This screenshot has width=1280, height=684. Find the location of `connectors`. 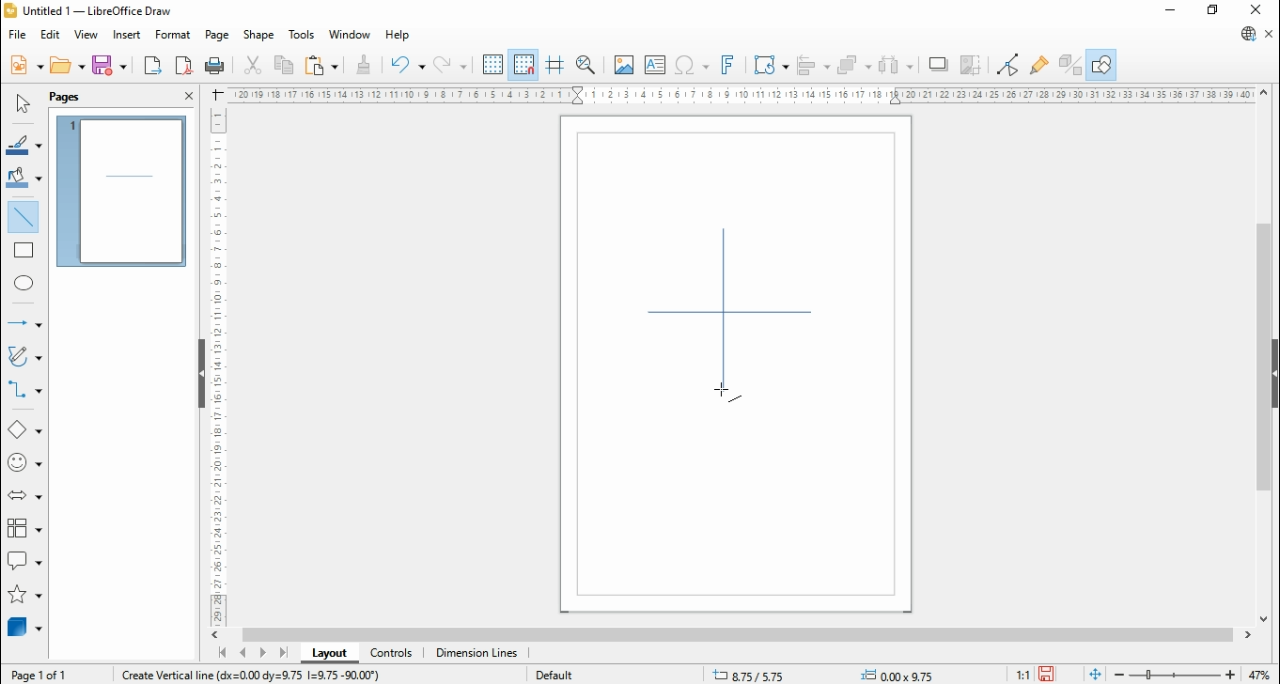

connectors is located at coordinates (24, 388).